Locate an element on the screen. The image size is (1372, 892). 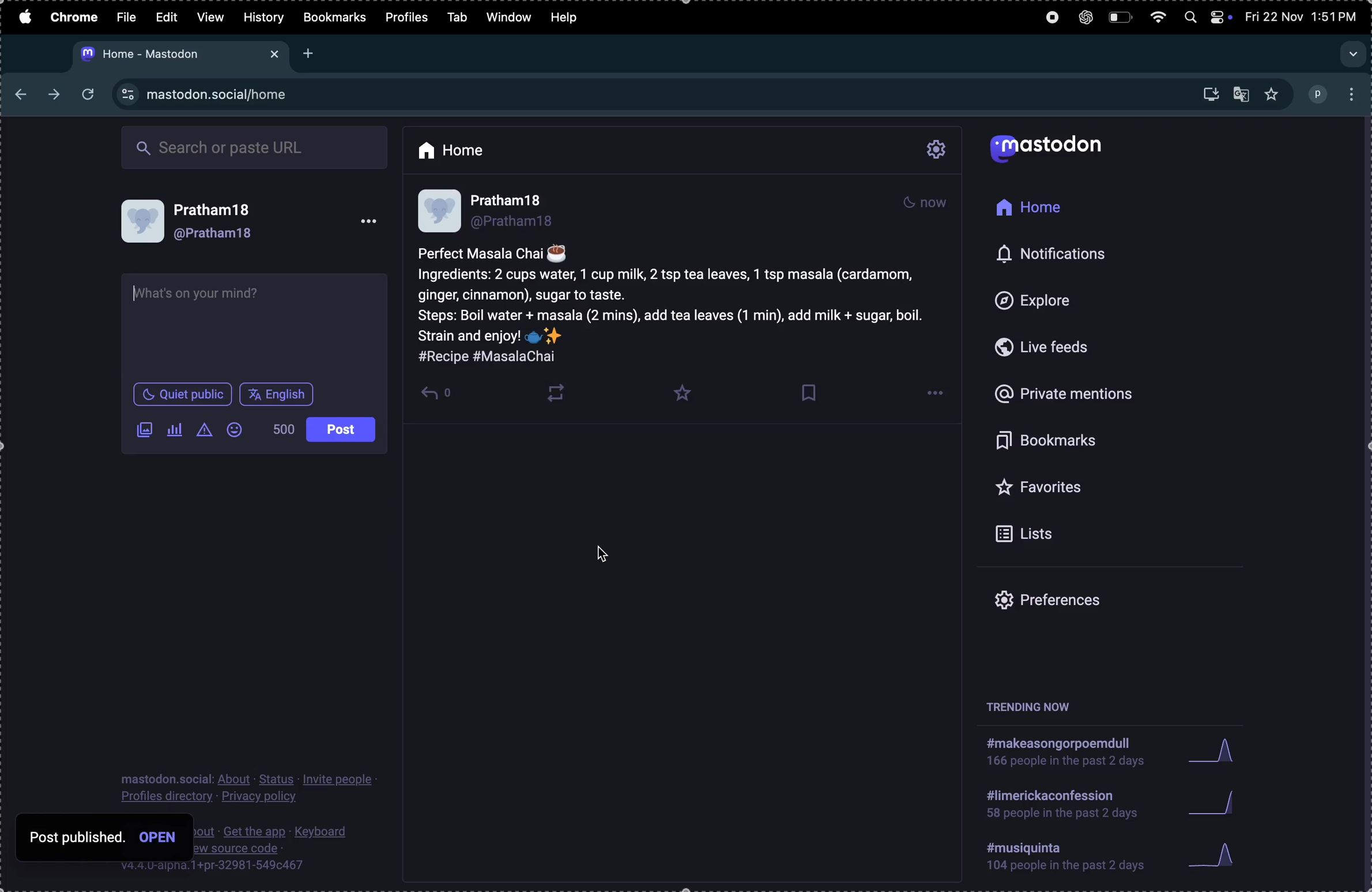
history is located at coordinates (265, 17).